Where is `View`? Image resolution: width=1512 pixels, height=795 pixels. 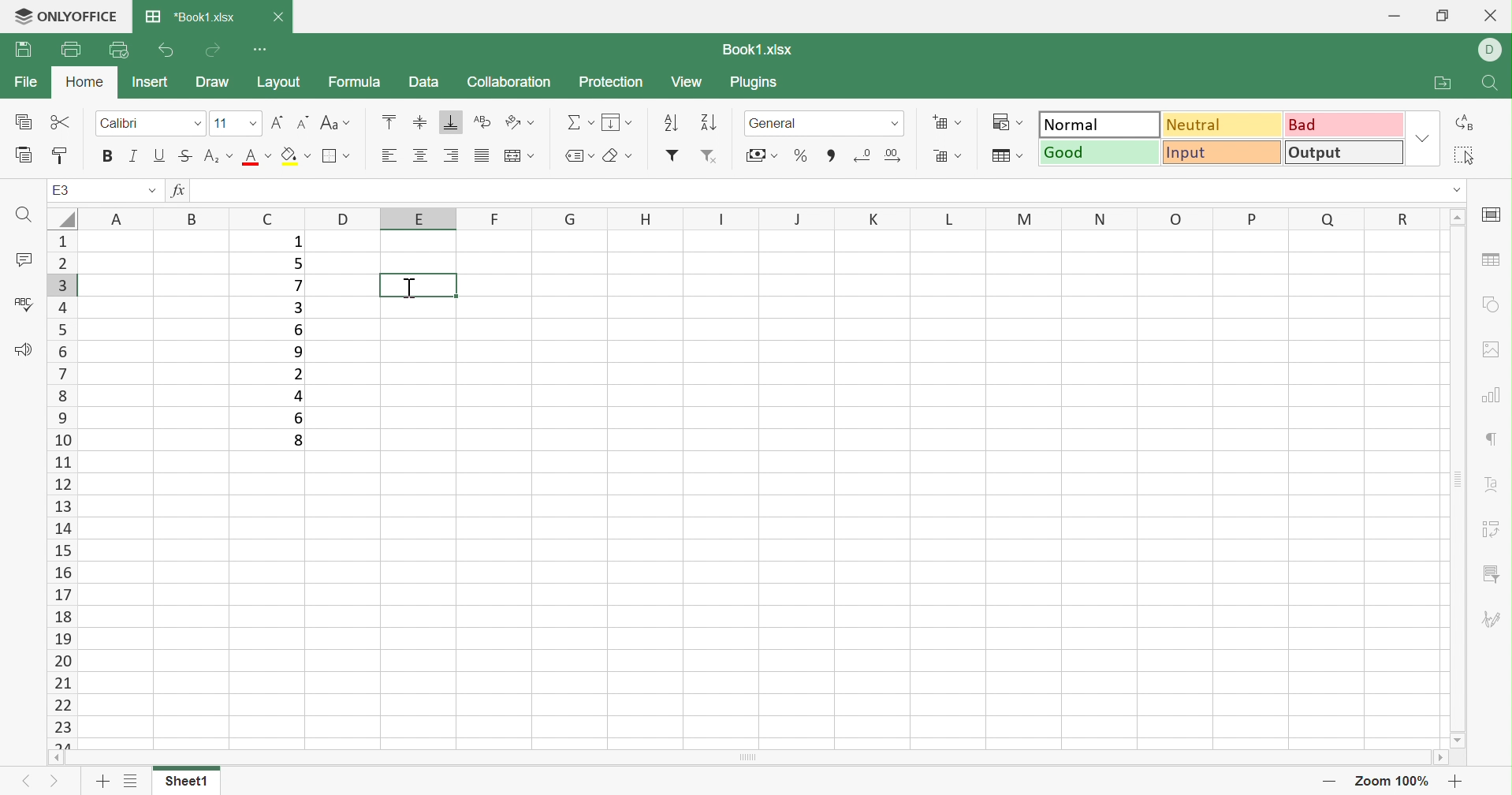 View is located at coordinates (687, 83).